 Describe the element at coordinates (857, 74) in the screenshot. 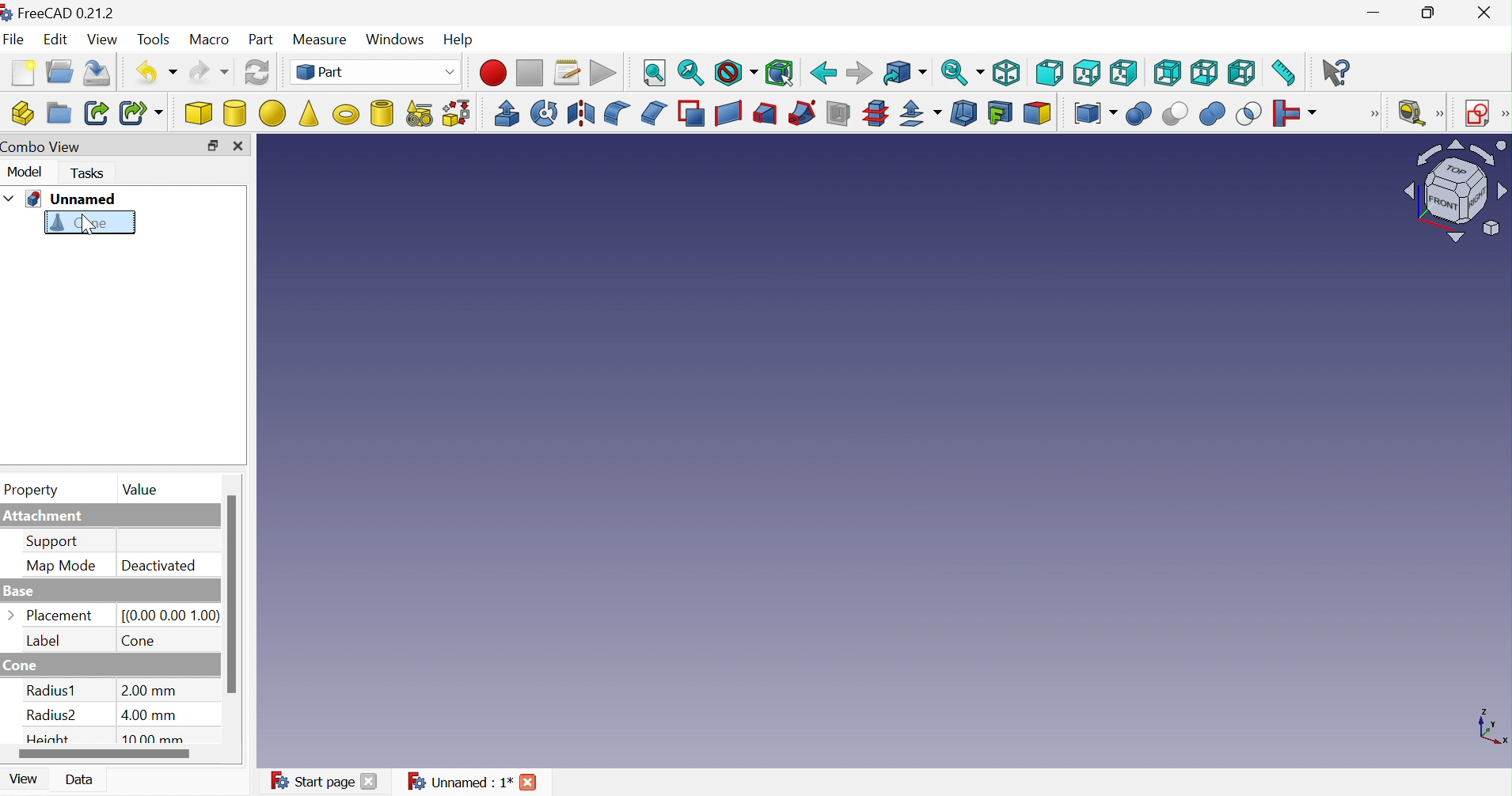

I see `Forward` at that location.